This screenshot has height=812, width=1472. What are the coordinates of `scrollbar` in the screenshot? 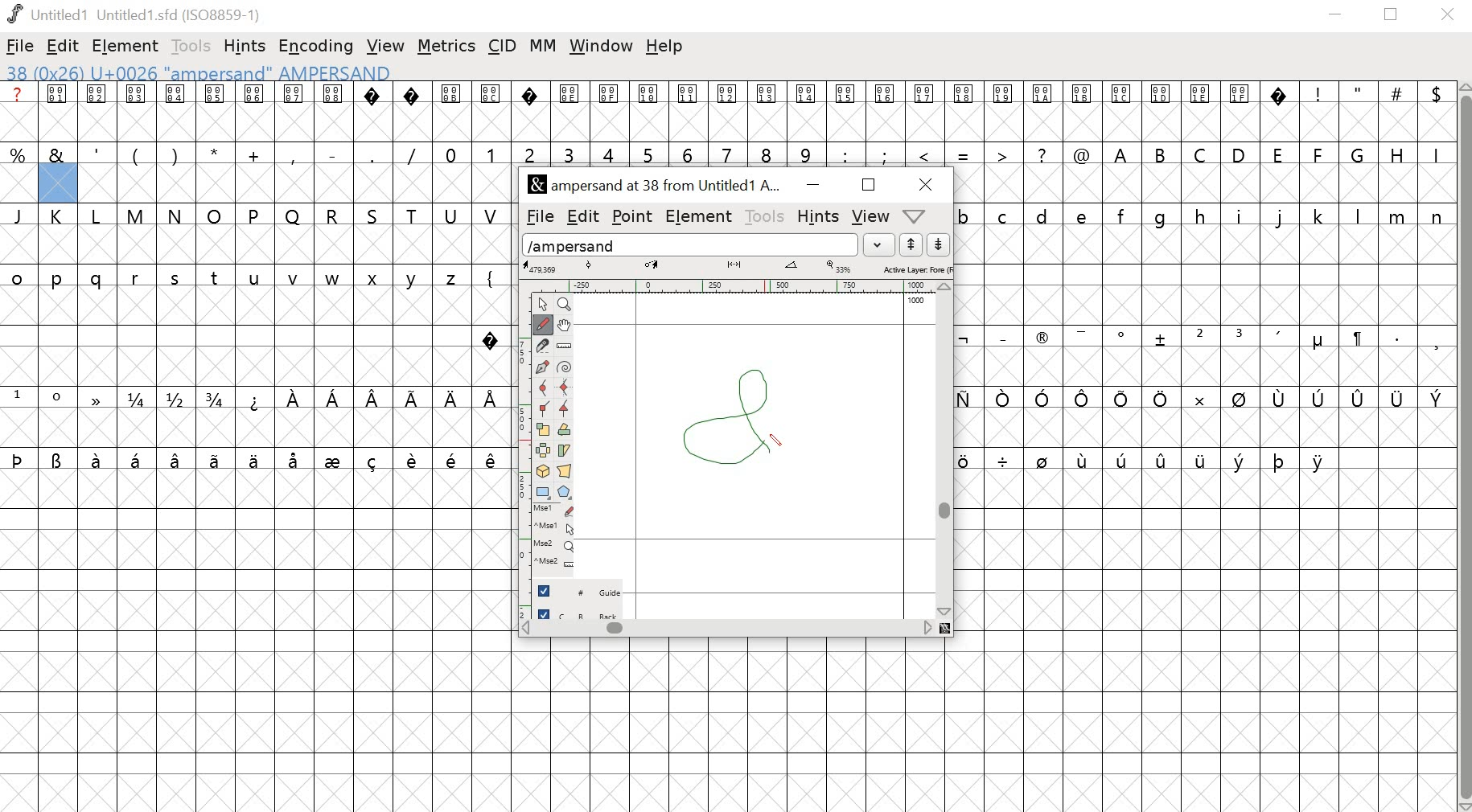 It's located at (948, 449).